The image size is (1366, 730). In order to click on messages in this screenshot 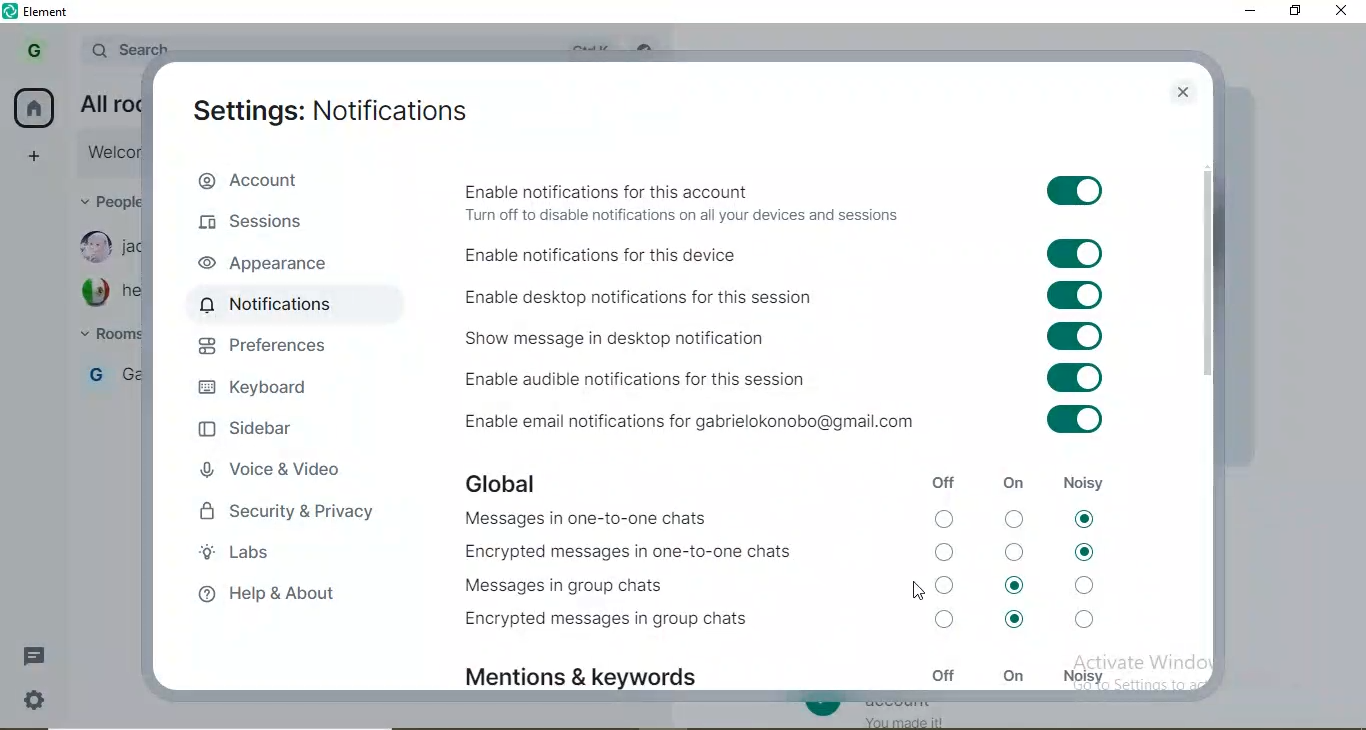, I will do `click(41, 656)`.